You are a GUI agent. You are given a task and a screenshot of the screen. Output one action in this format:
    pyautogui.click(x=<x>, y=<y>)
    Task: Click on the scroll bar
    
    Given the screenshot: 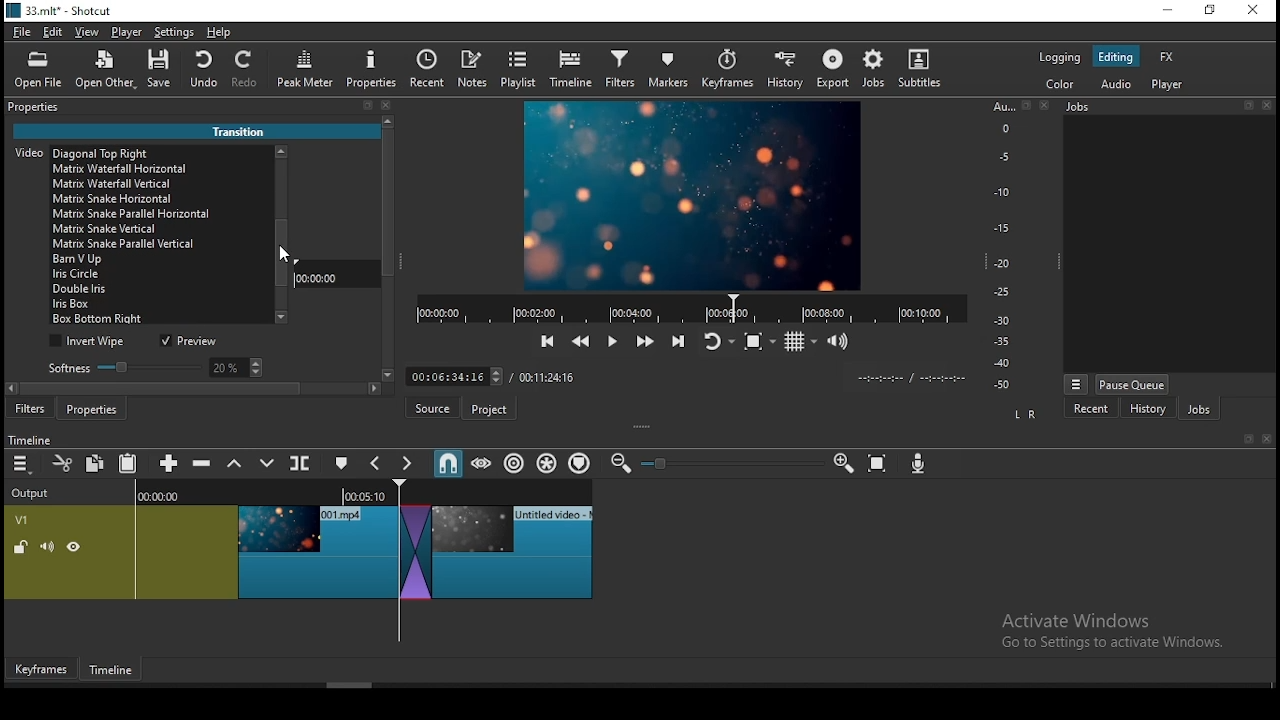 What is the action you would take?
    pyautogui.click(x=201, y=391)
    